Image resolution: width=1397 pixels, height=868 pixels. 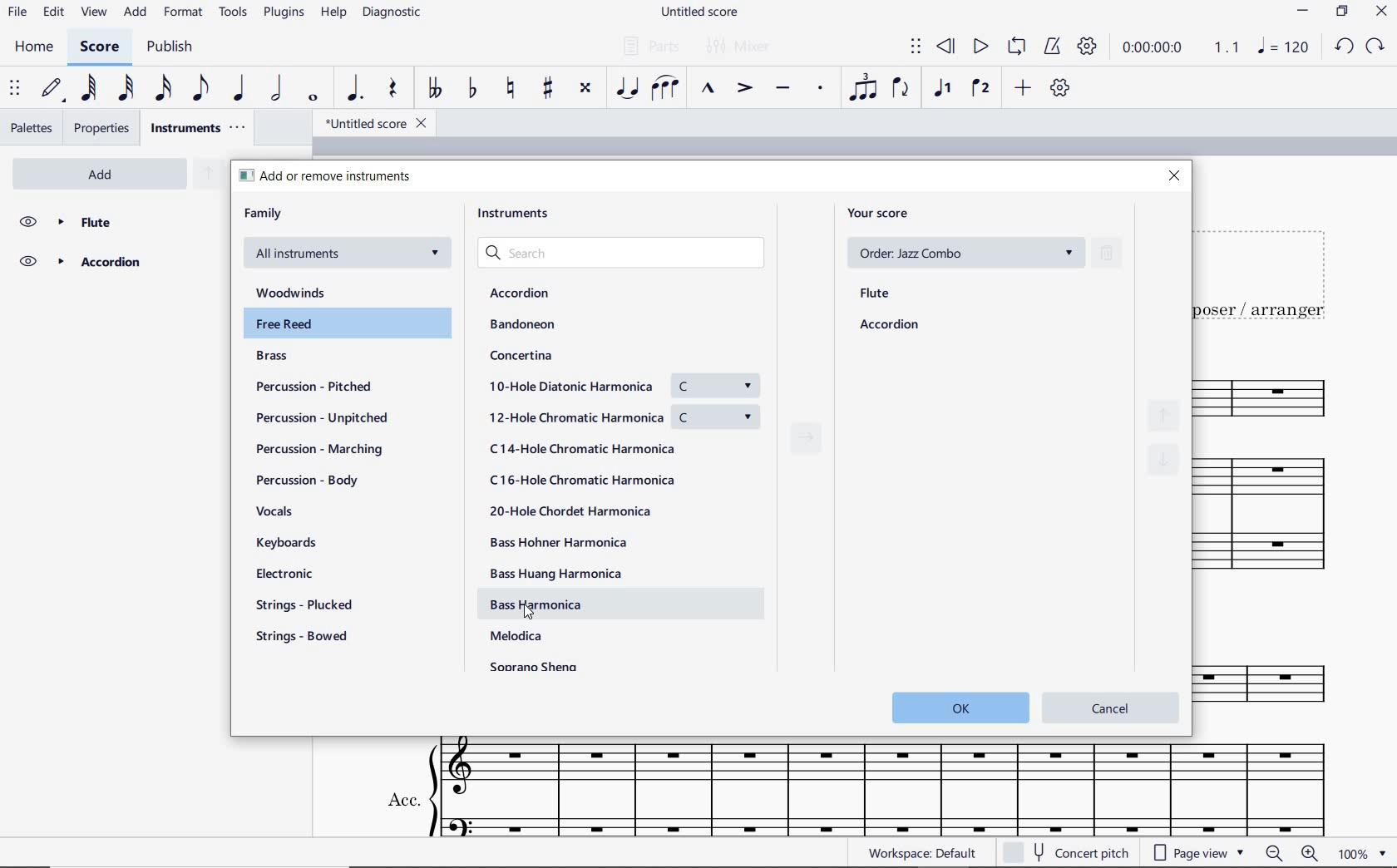 What do you see at coordinates (708, 90) in the screenshot?
I see `marcato` at bounding box center [708, 90].